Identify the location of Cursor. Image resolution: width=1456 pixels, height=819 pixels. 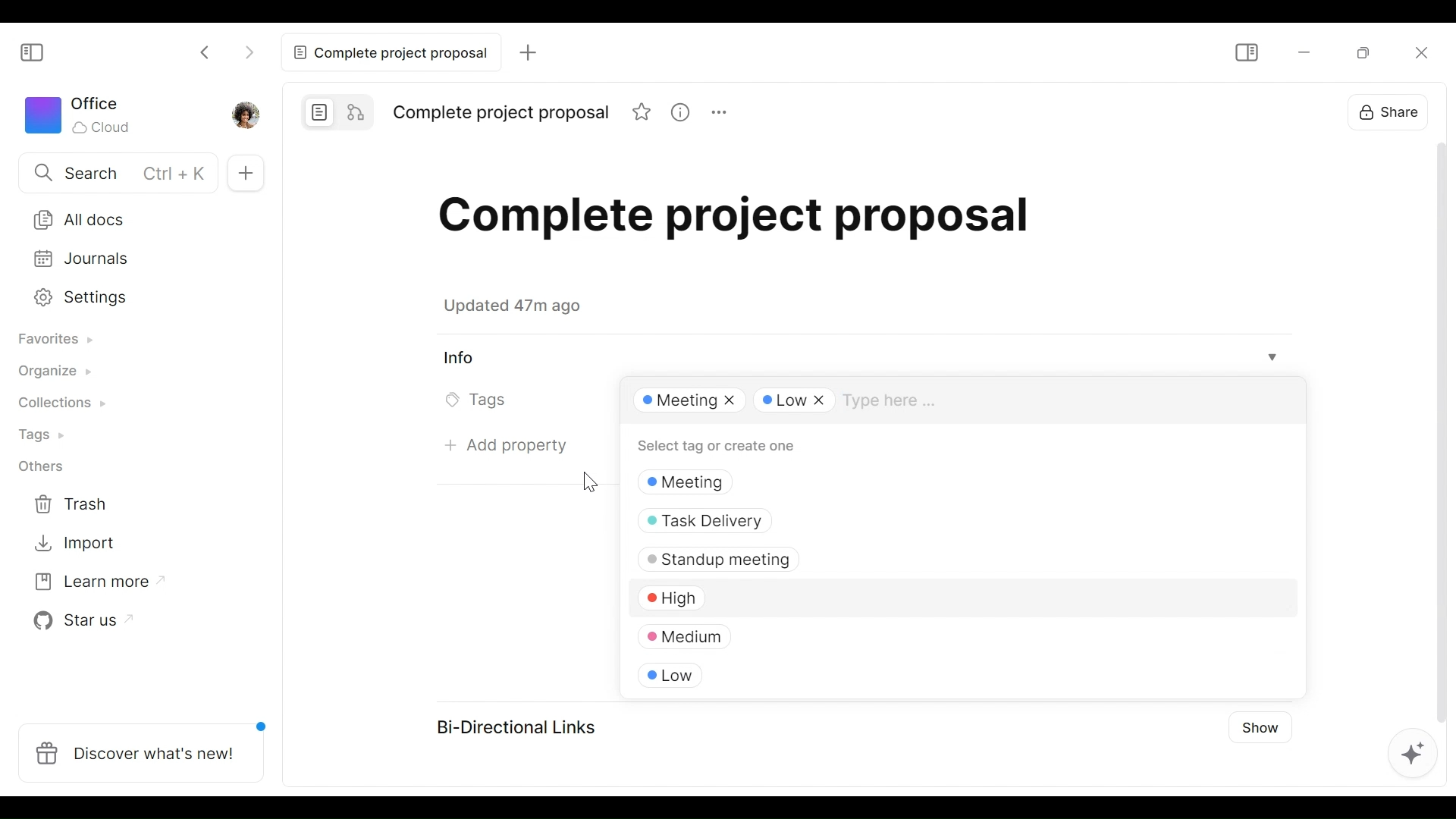
(588, 479).